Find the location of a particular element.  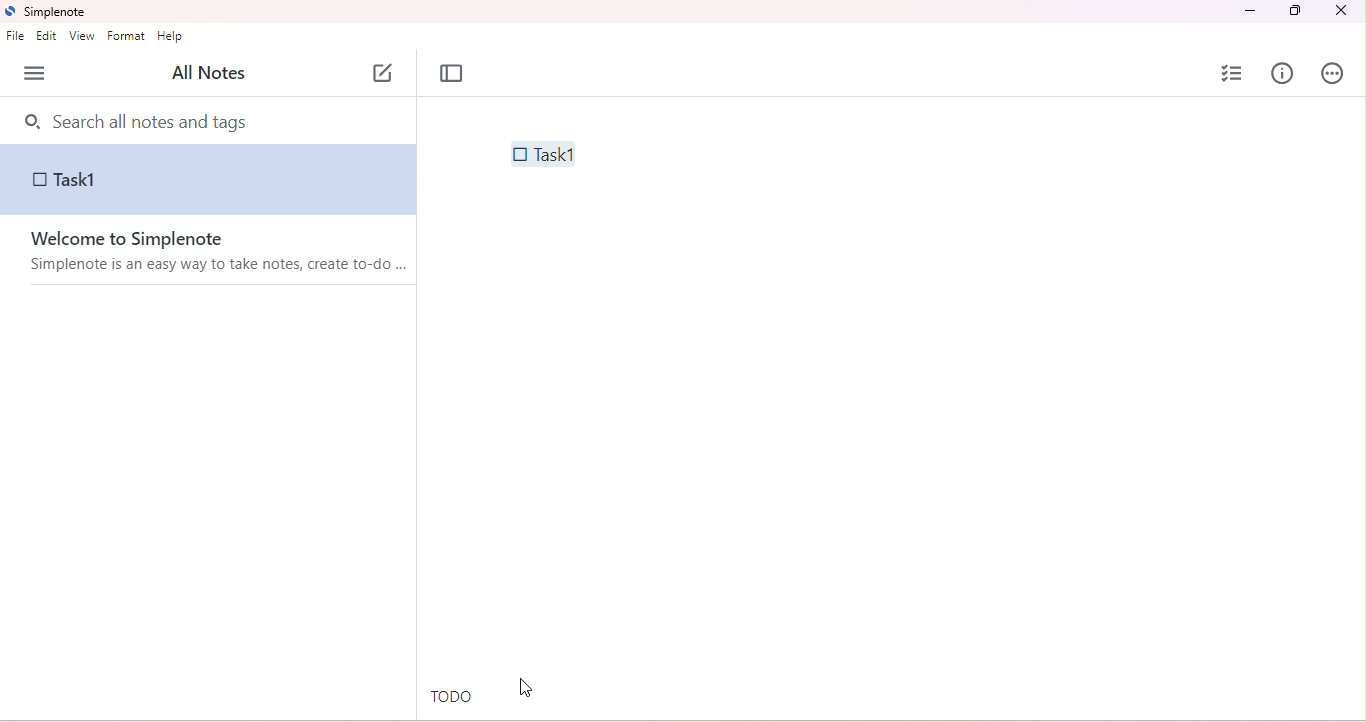

all notes is located at coordinates (207, 74).